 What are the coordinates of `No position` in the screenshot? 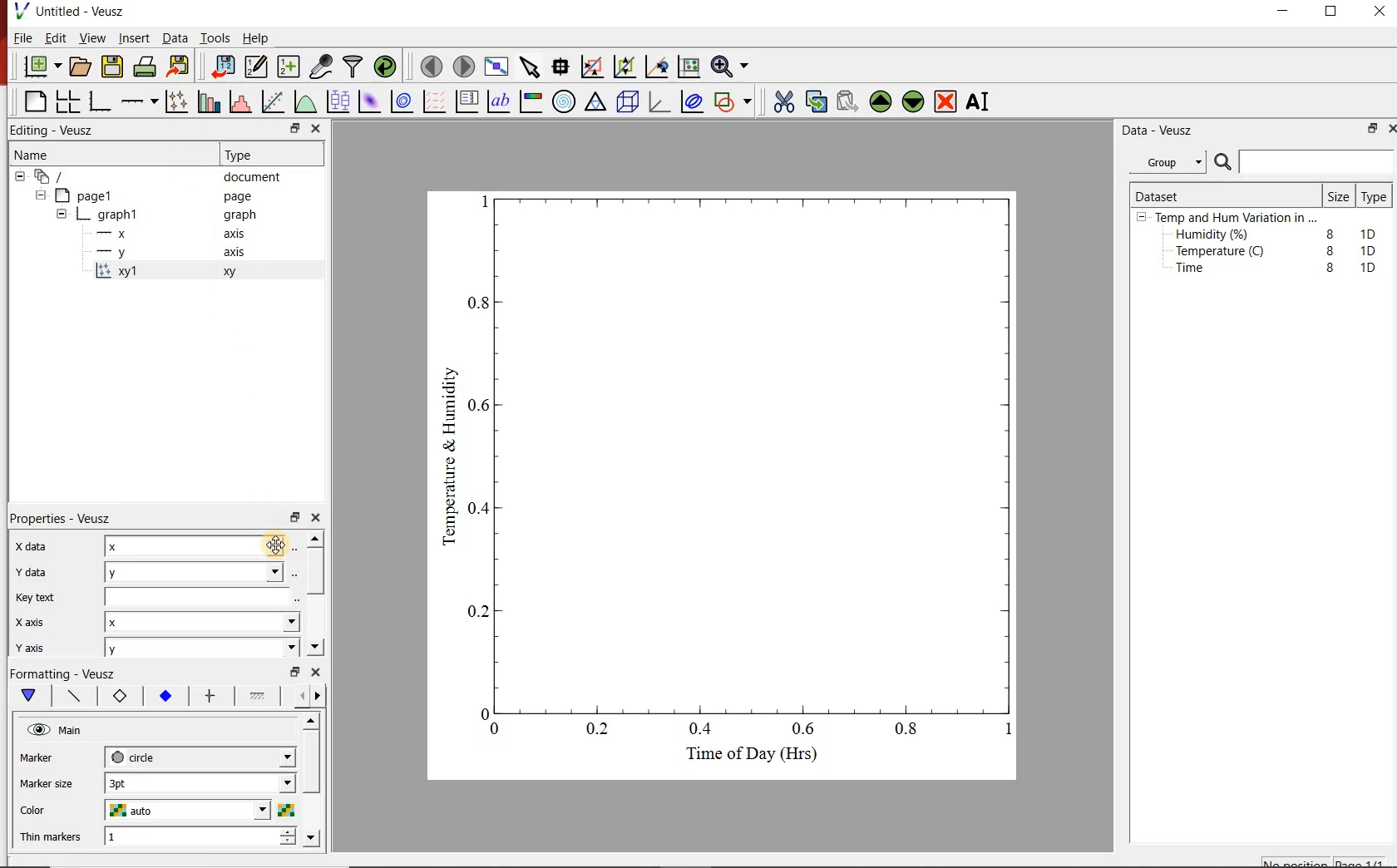 It's located at (1296, 862).